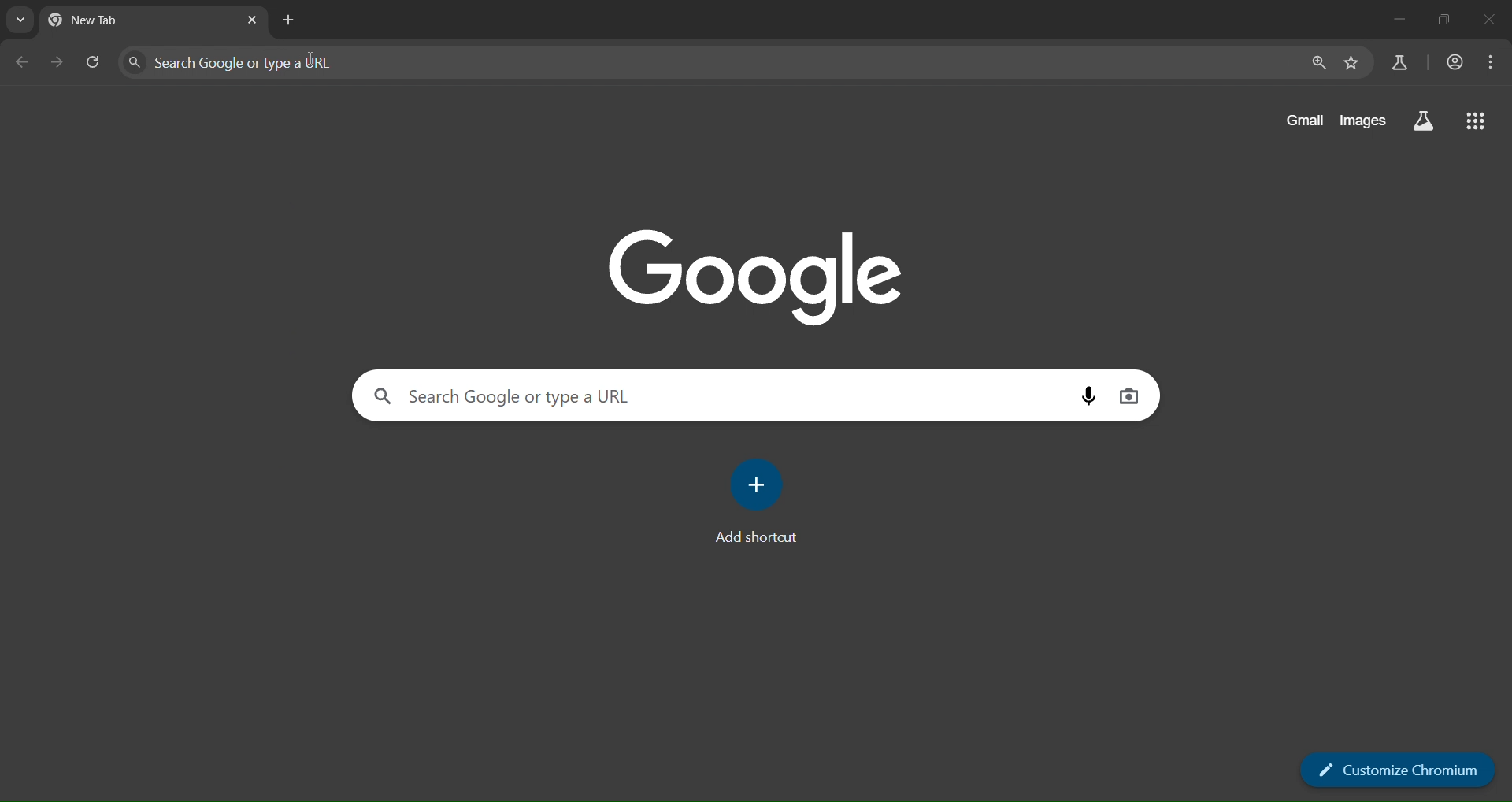  I want to click on google image, so click(752, 274).